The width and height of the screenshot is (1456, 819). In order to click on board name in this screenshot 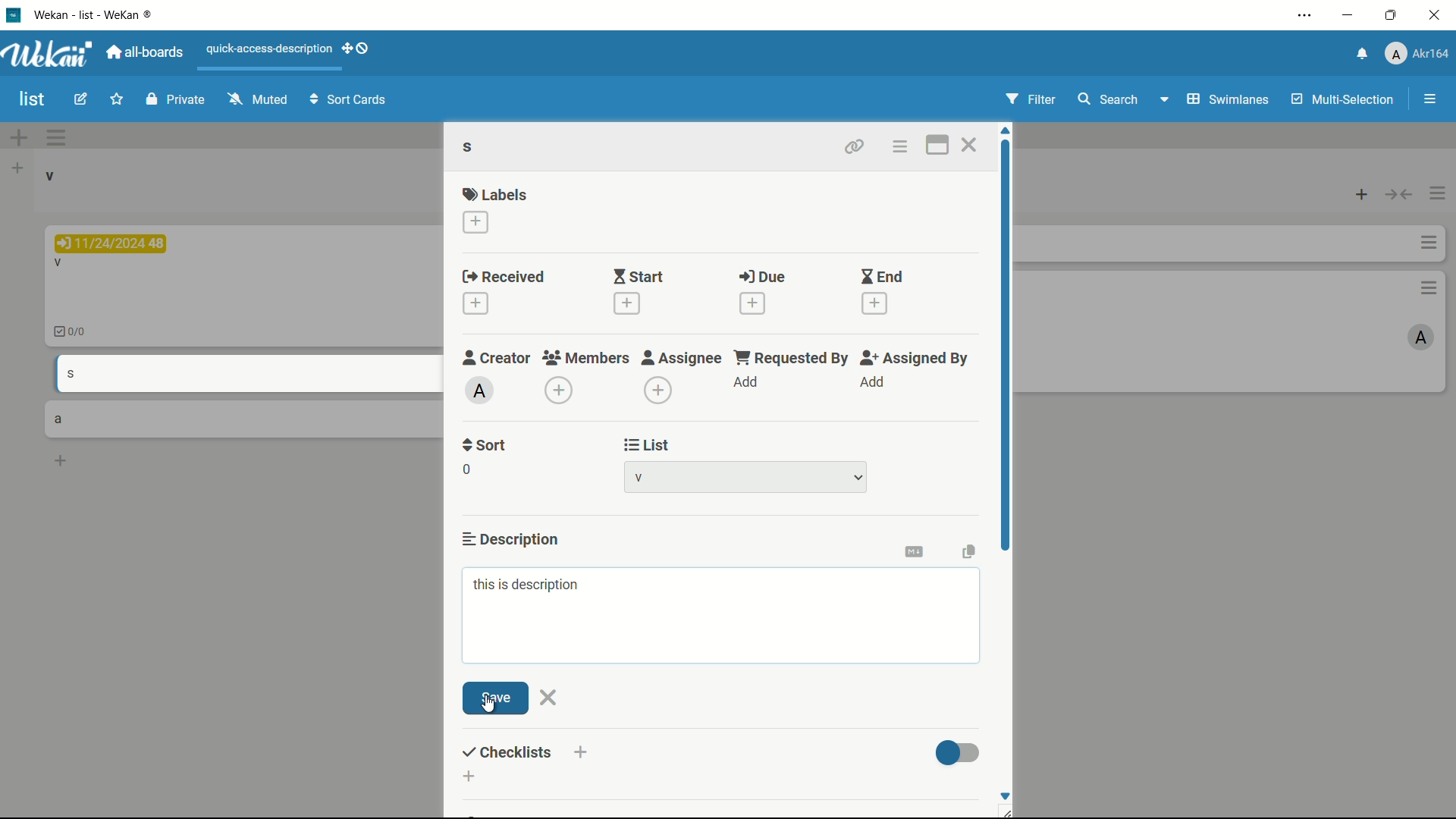, I will do `click(33, 100)`.